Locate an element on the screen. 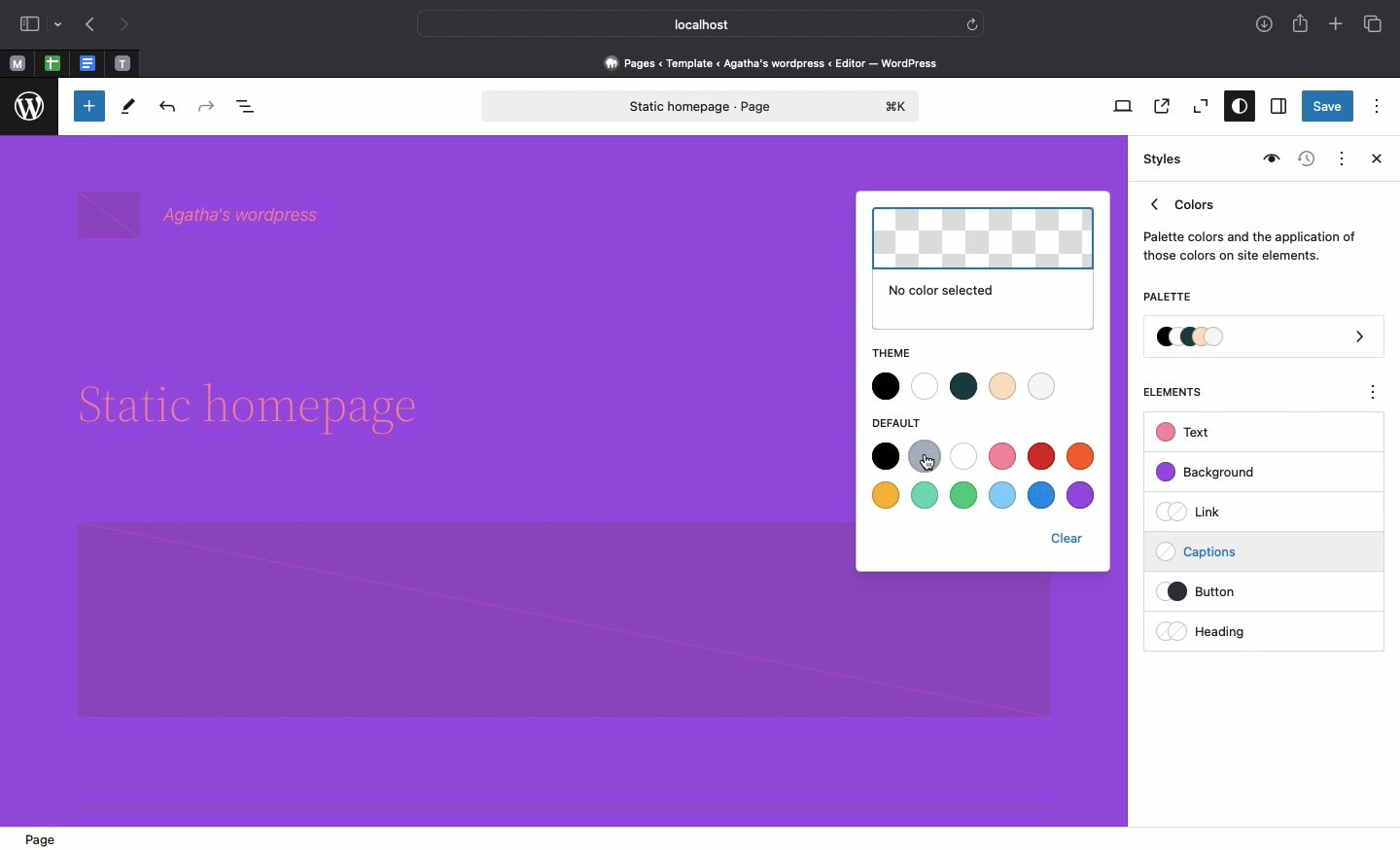 This screenshot has height=850, width=1400. Static homepage is located at coordinates (703, 106).